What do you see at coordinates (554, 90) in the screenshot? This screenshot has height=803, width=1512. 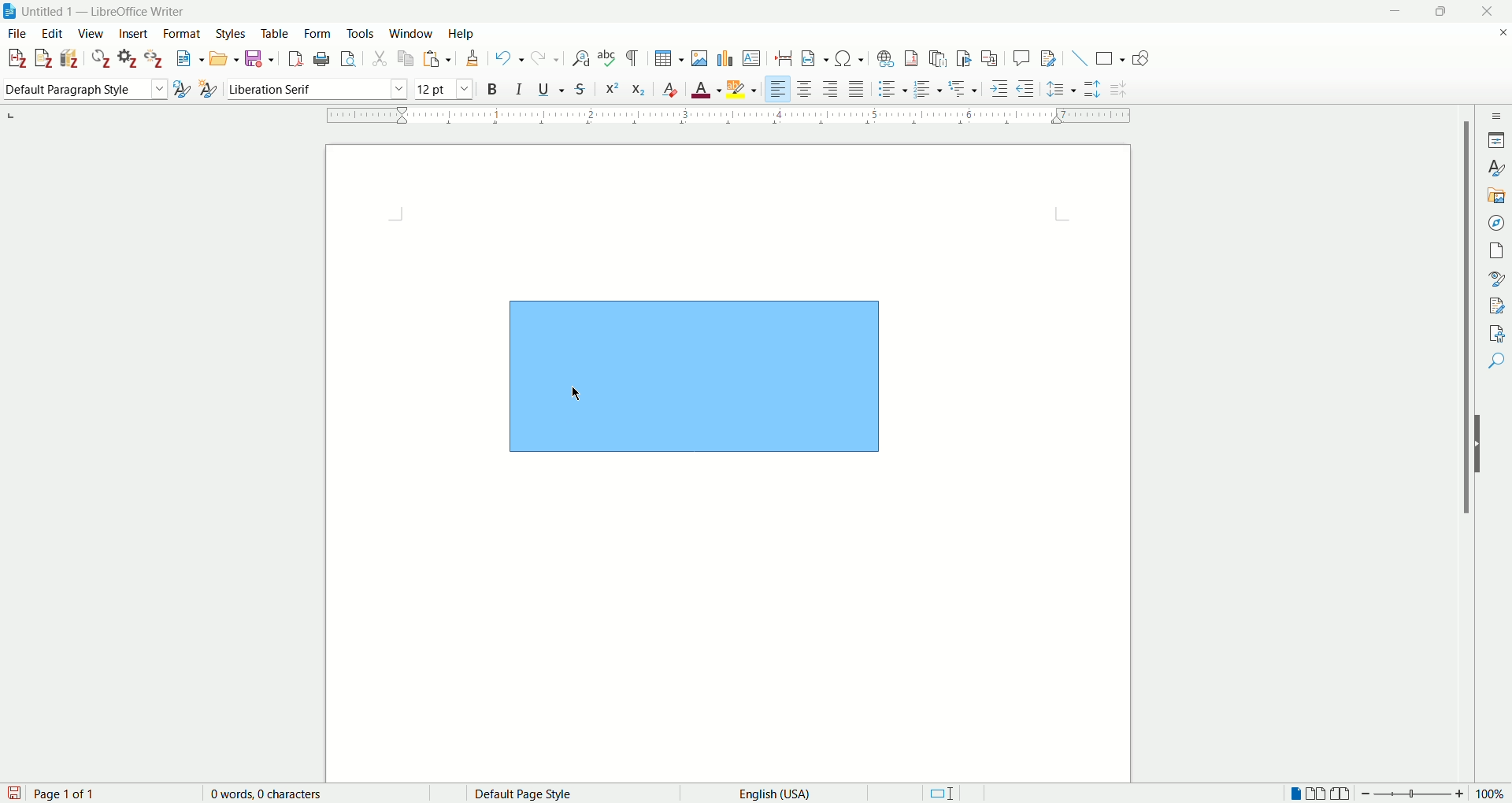 I see `underline` at bounding box center [554, 90].